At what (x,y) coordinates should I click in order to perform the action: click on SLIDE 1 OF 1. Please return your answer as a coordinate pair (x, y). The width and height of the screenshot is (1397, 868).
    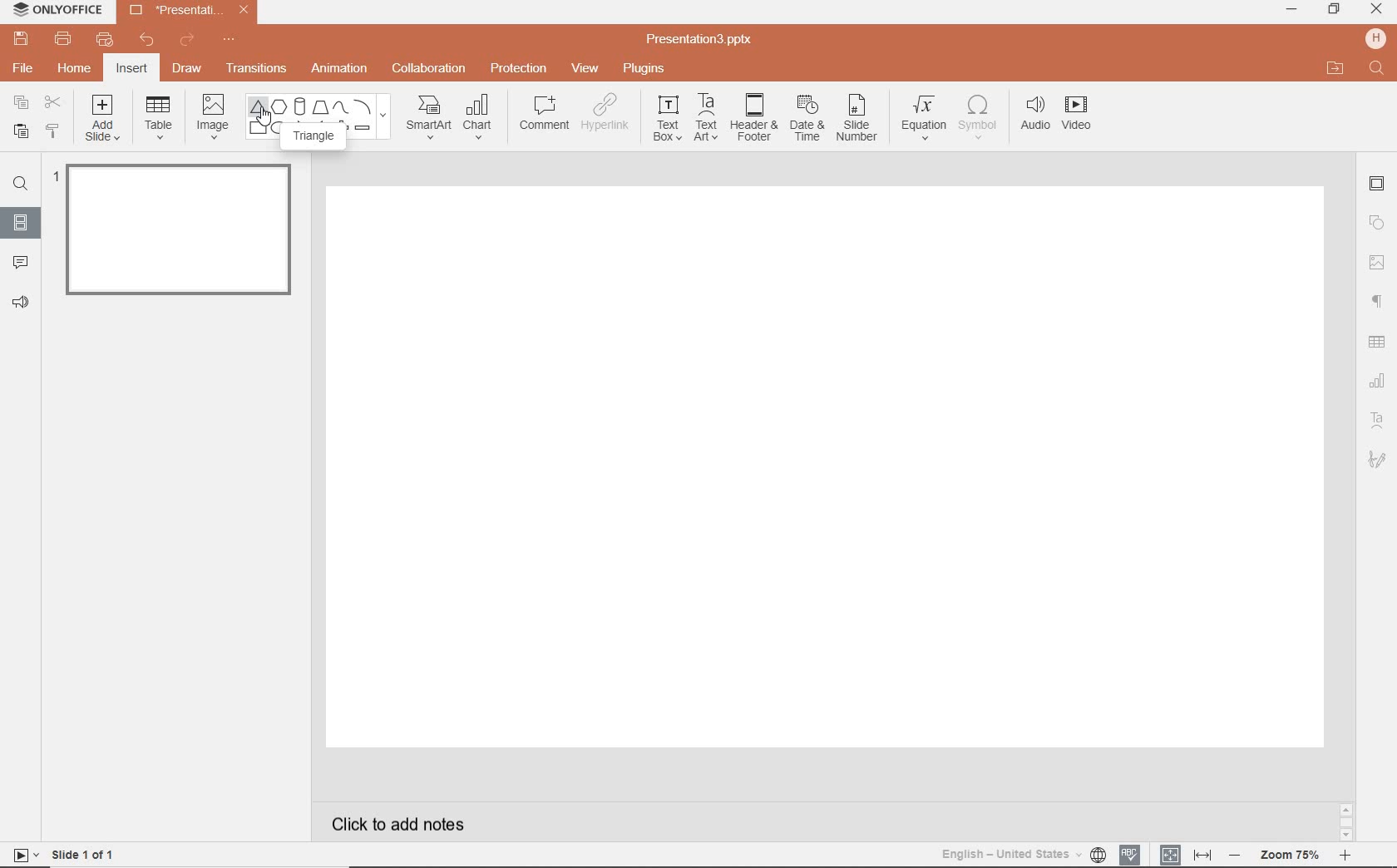
    Looking at the image, I should click on (86, 853).